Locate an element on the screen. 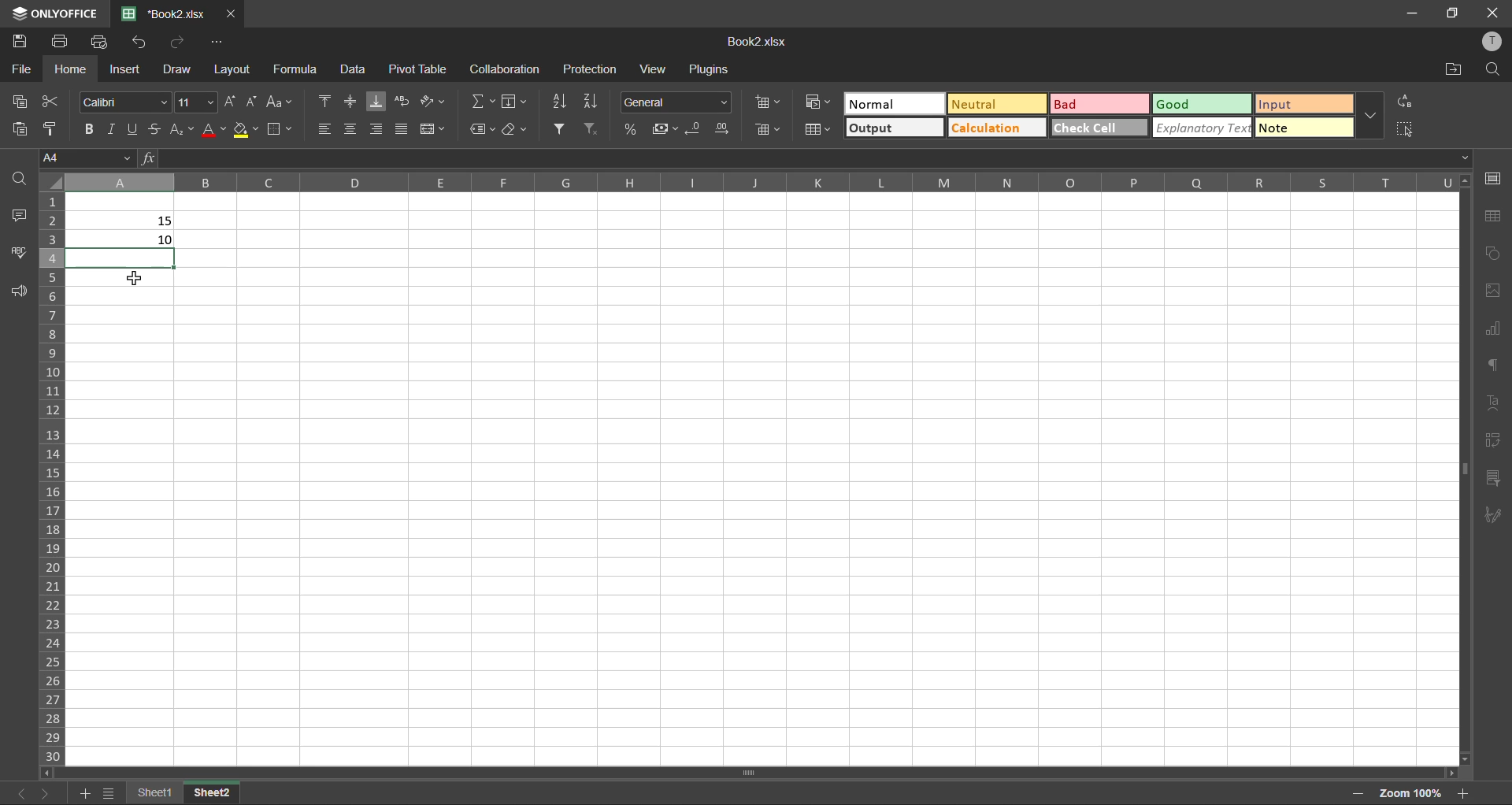 This screenshot has width=1512, height=805. delete cells is located at coordinates (766, 128).